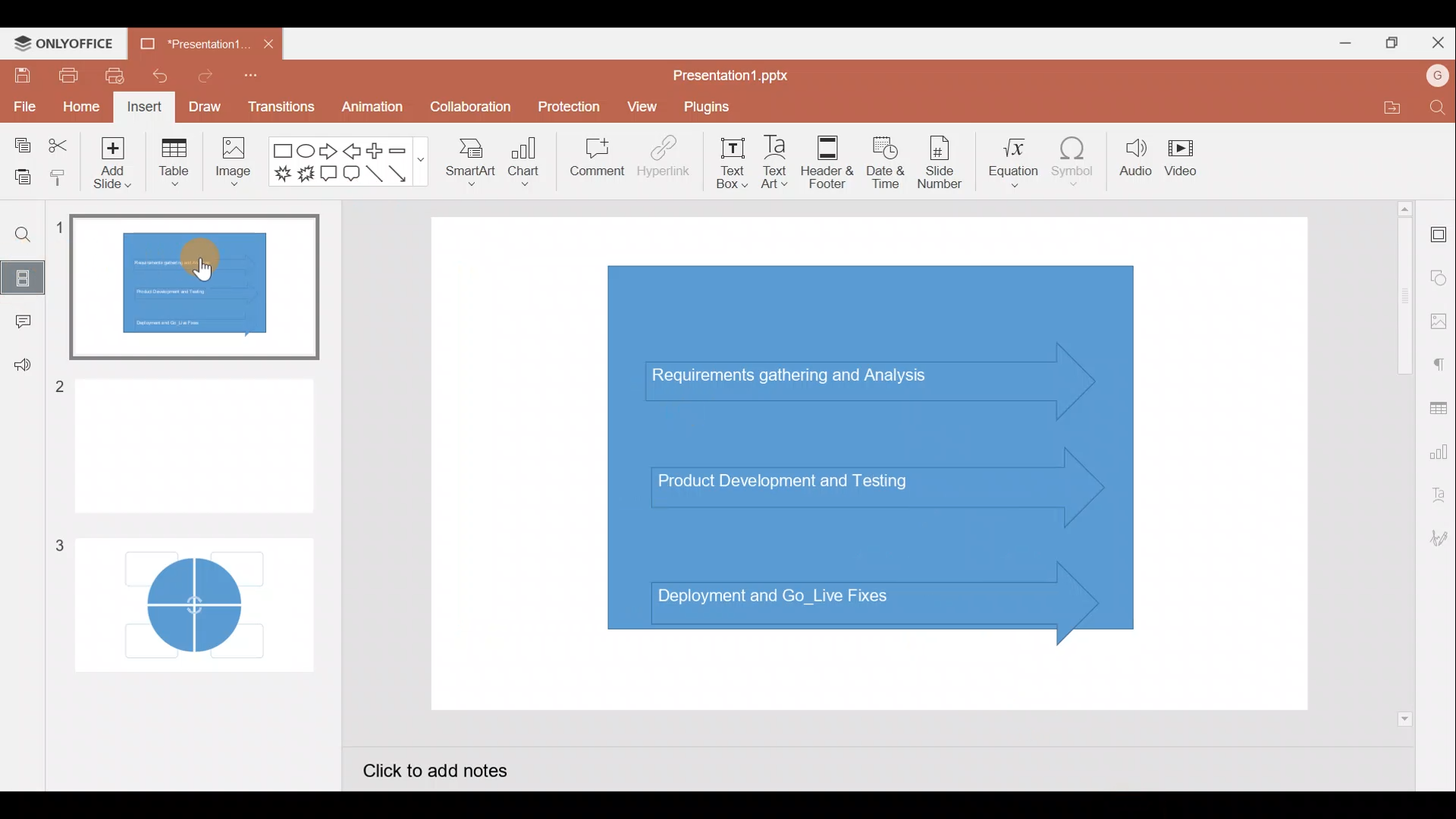 The width and height of the screenshot is (1456, 819). Describe the element at coordinates (728, 163) in the screenshot. I see `Text box` at that location.